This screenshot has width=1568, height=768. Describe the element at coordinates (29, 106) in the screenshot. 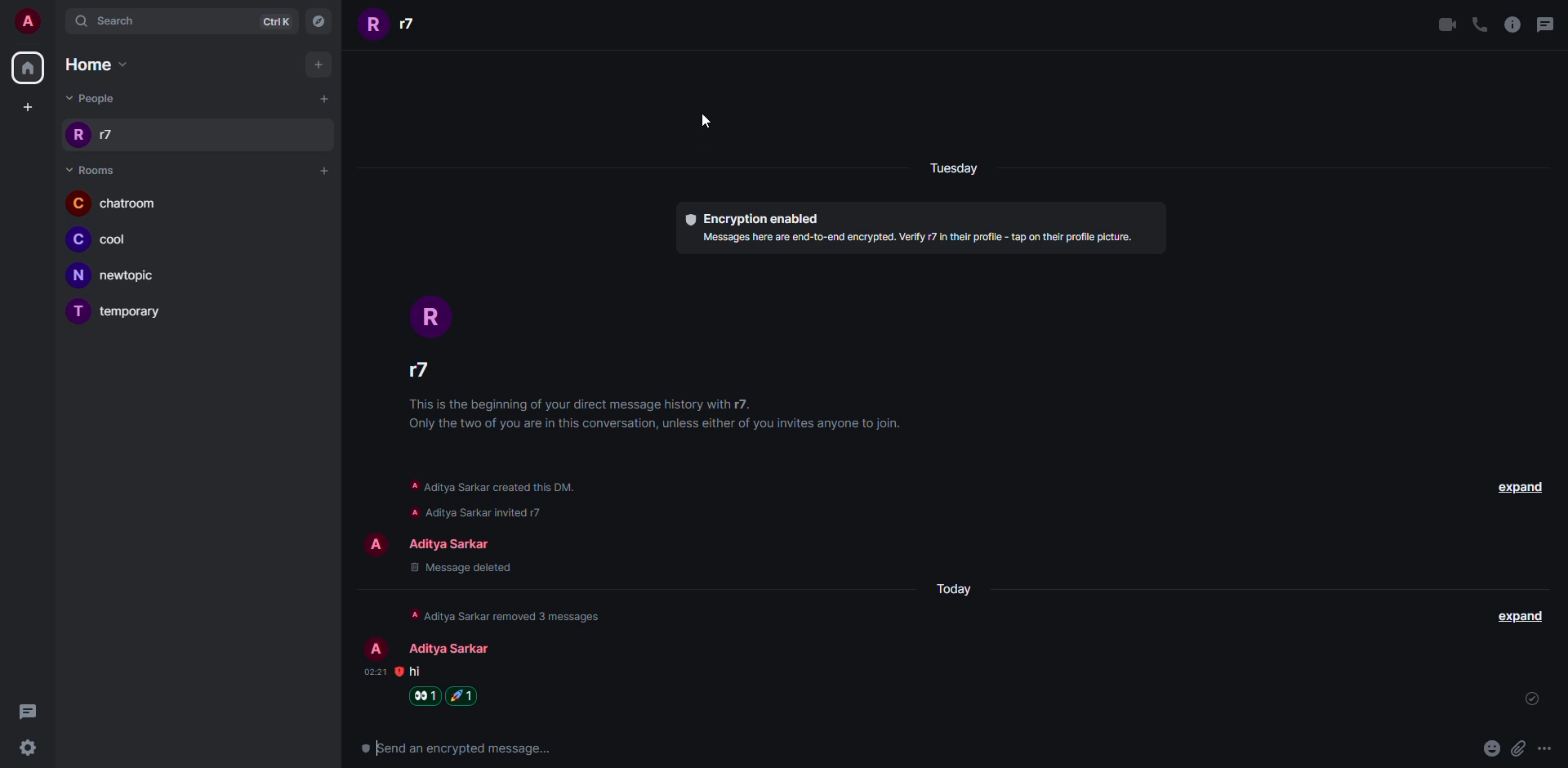

I see `add` at that location.